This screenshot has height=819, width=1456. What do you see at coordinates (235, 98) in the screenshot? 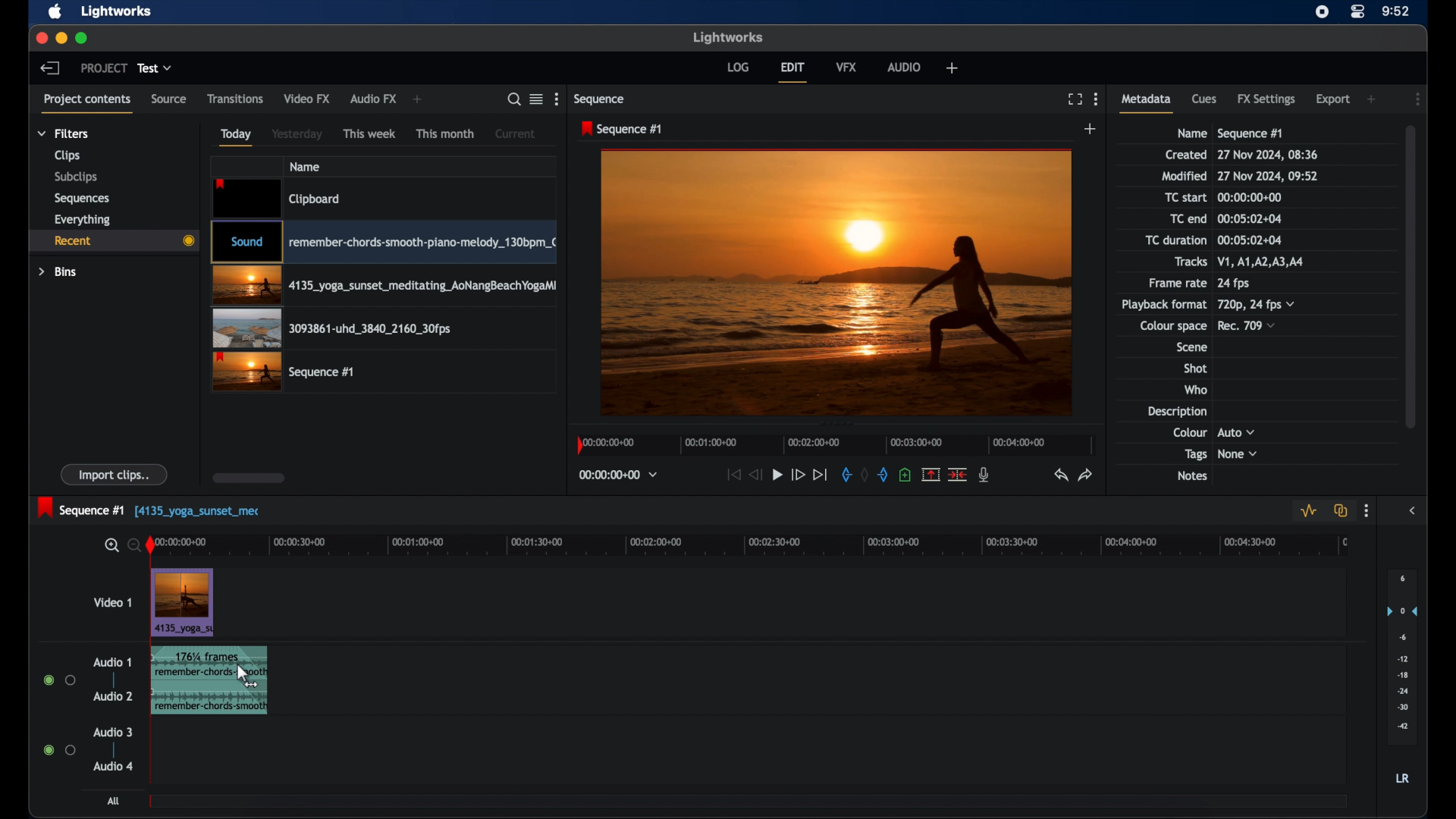
I see `transitions` at bounding box center [235, 98].